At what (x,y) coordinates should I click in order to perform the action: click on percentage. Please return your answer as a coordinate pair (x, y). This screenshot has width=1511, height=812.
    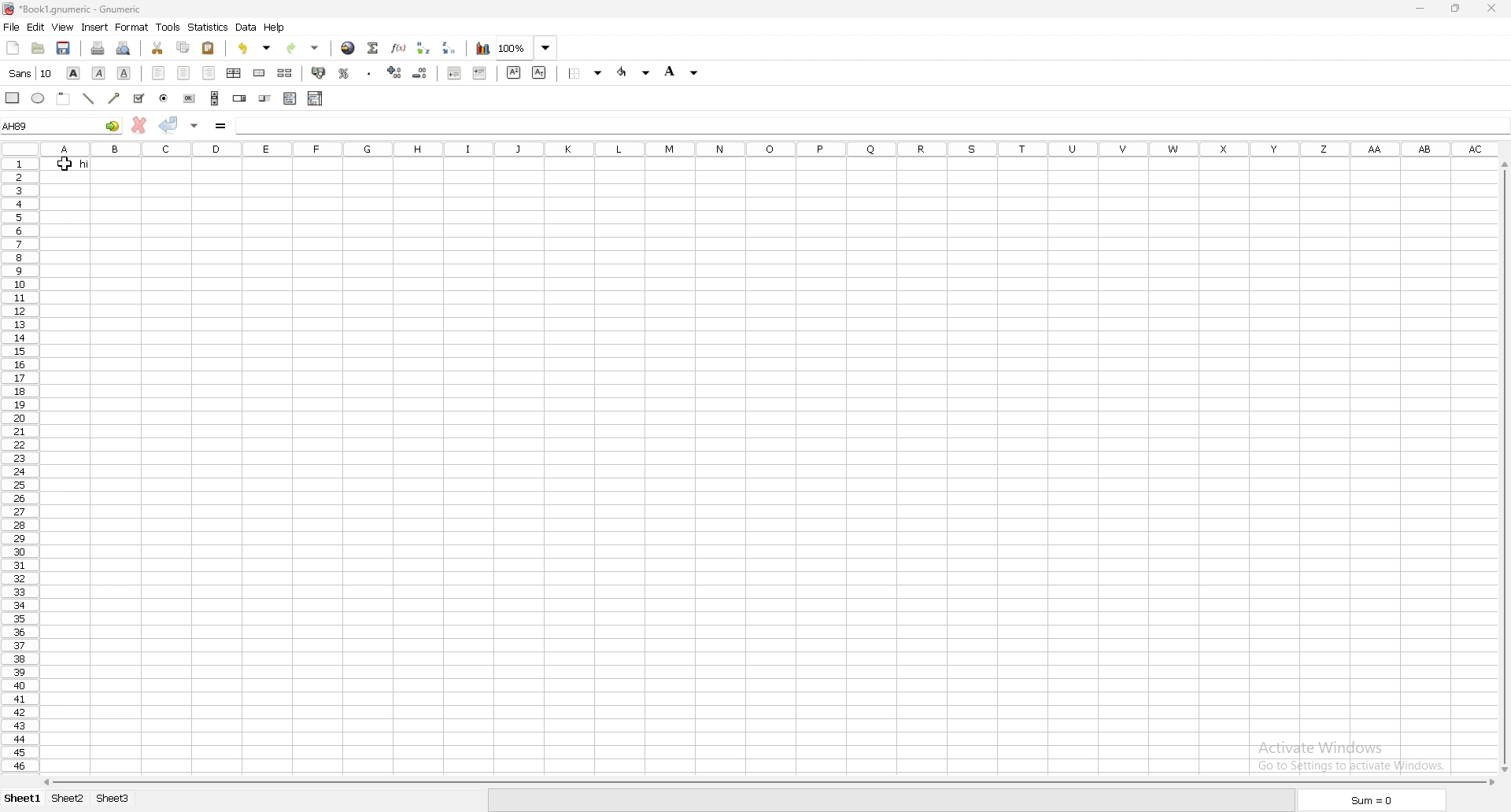
    Looking at the image, I should click on (344, 74).